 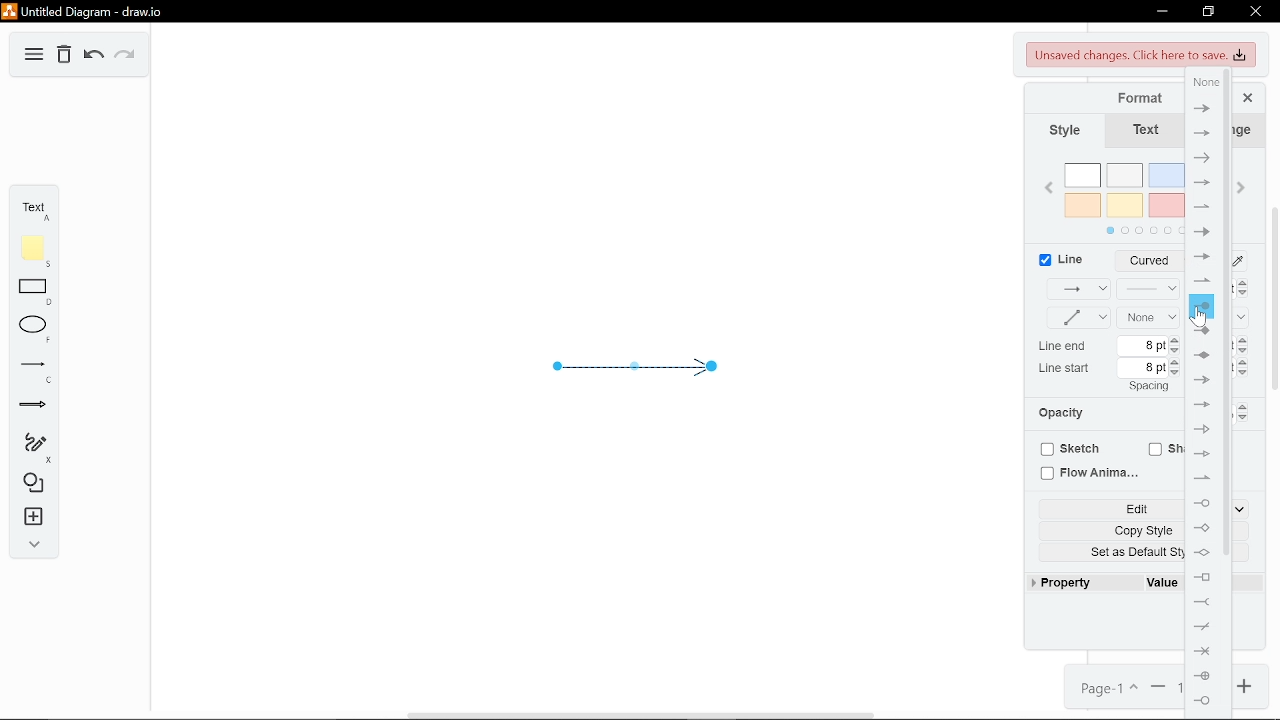 I want to click on Line style, so click(x=1149, y=261).